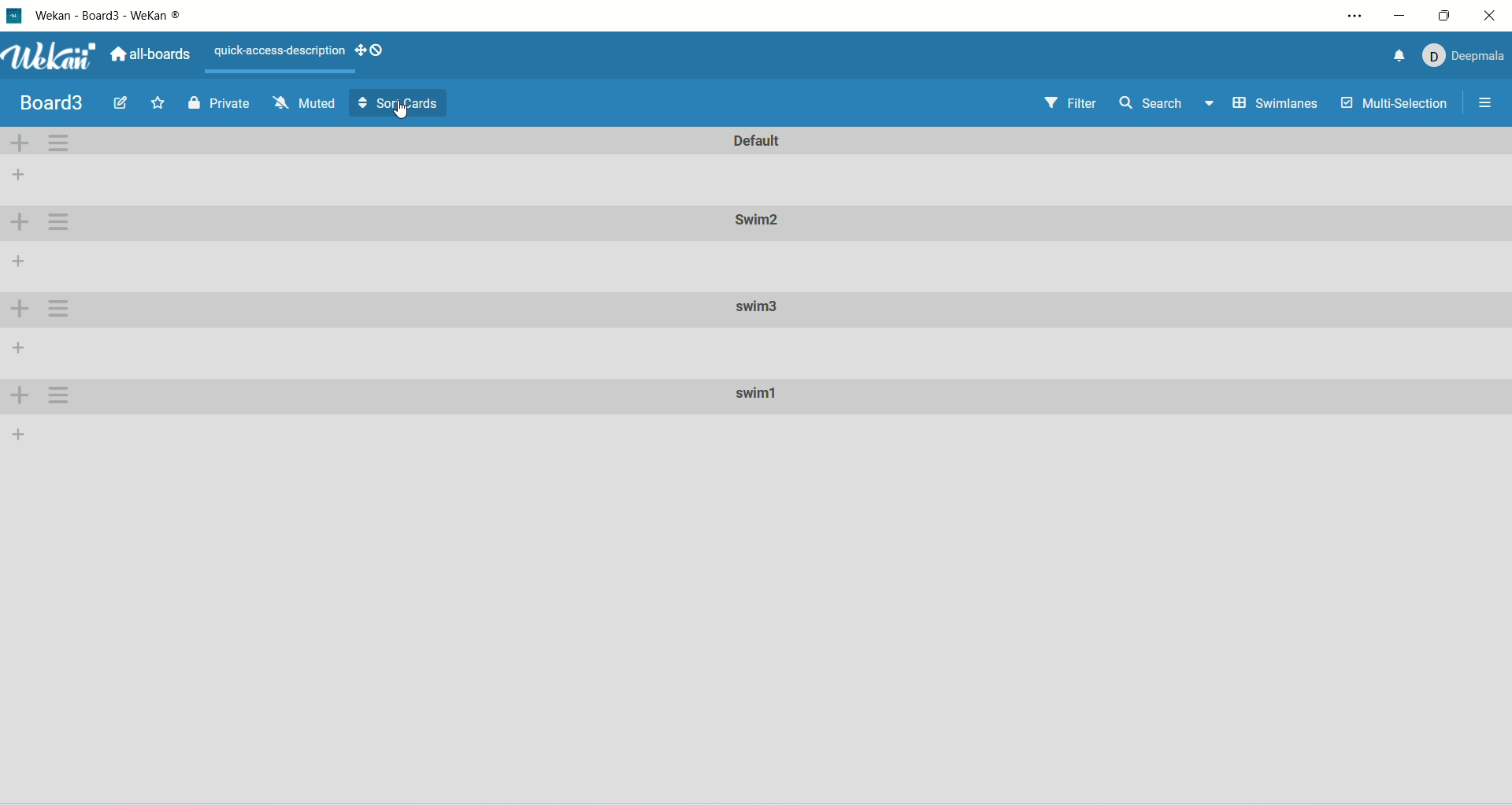  Describe the element at coordinates (59, 309) in the screenshot. I see `swimlane actions` at that location.